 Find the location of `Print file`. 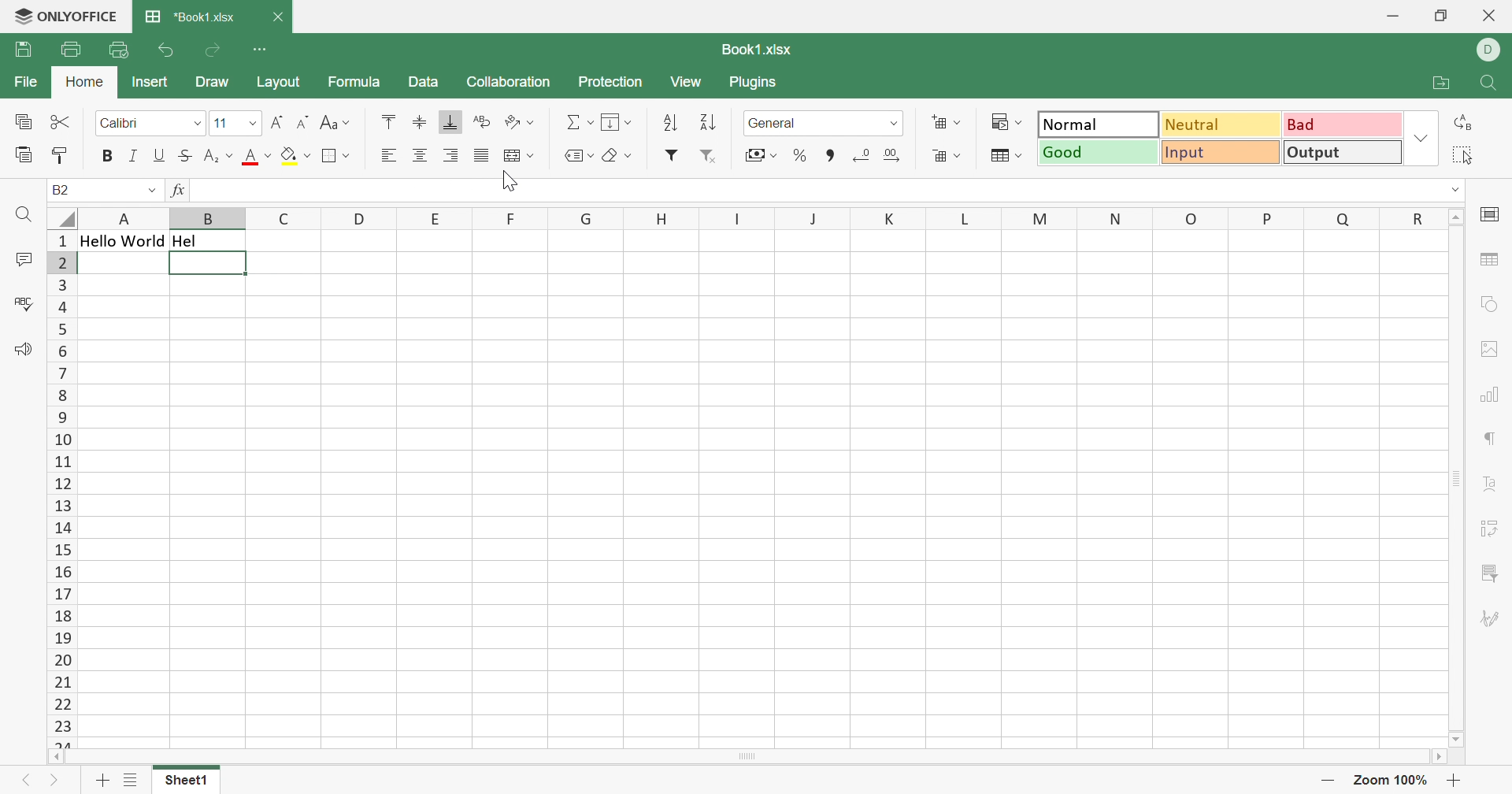

Print file is located at coordinates (69, 49).